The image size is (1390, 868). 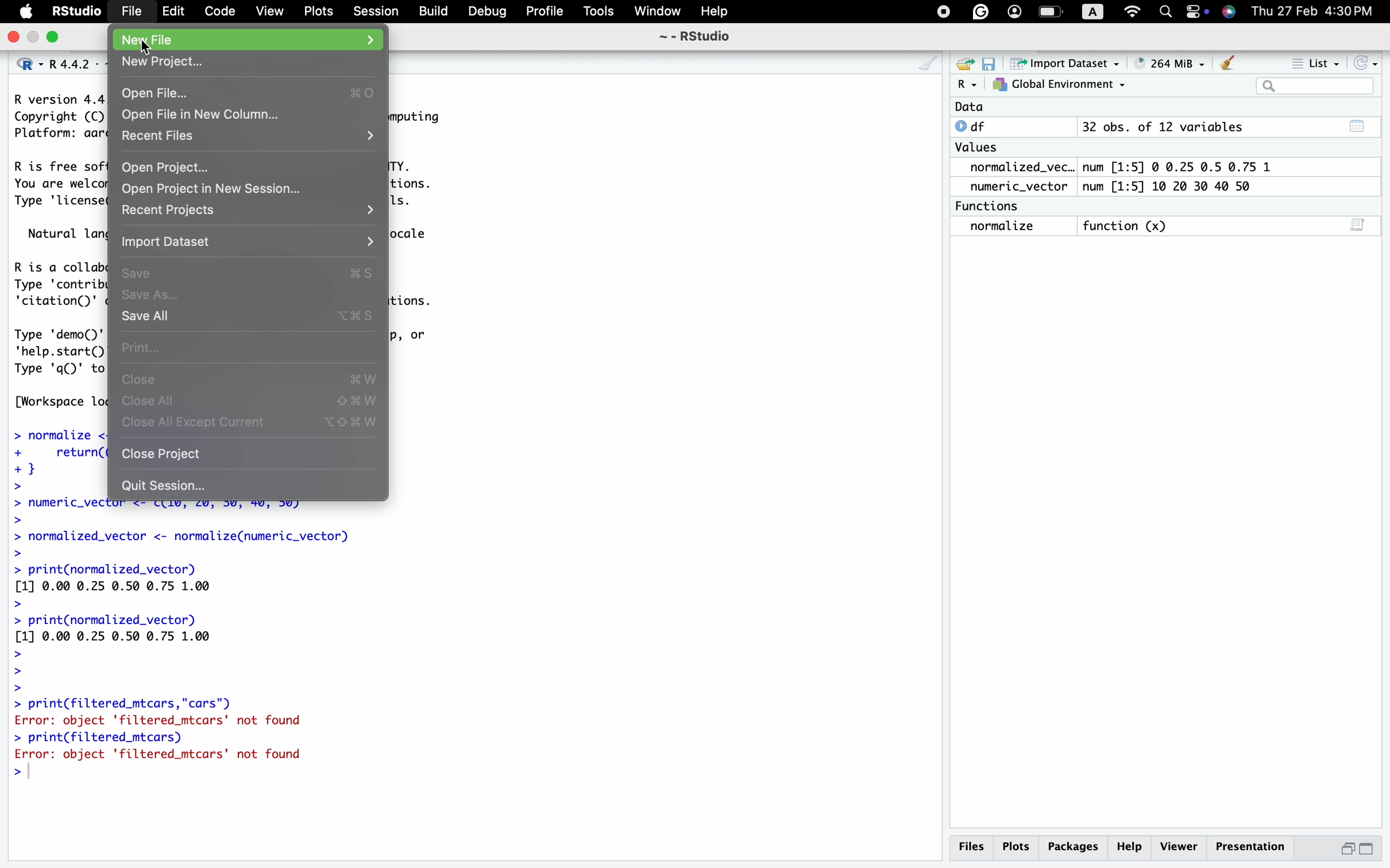 I want to click on num [1:5] 10 20 30 40 50, so click(x=1175, y=186).